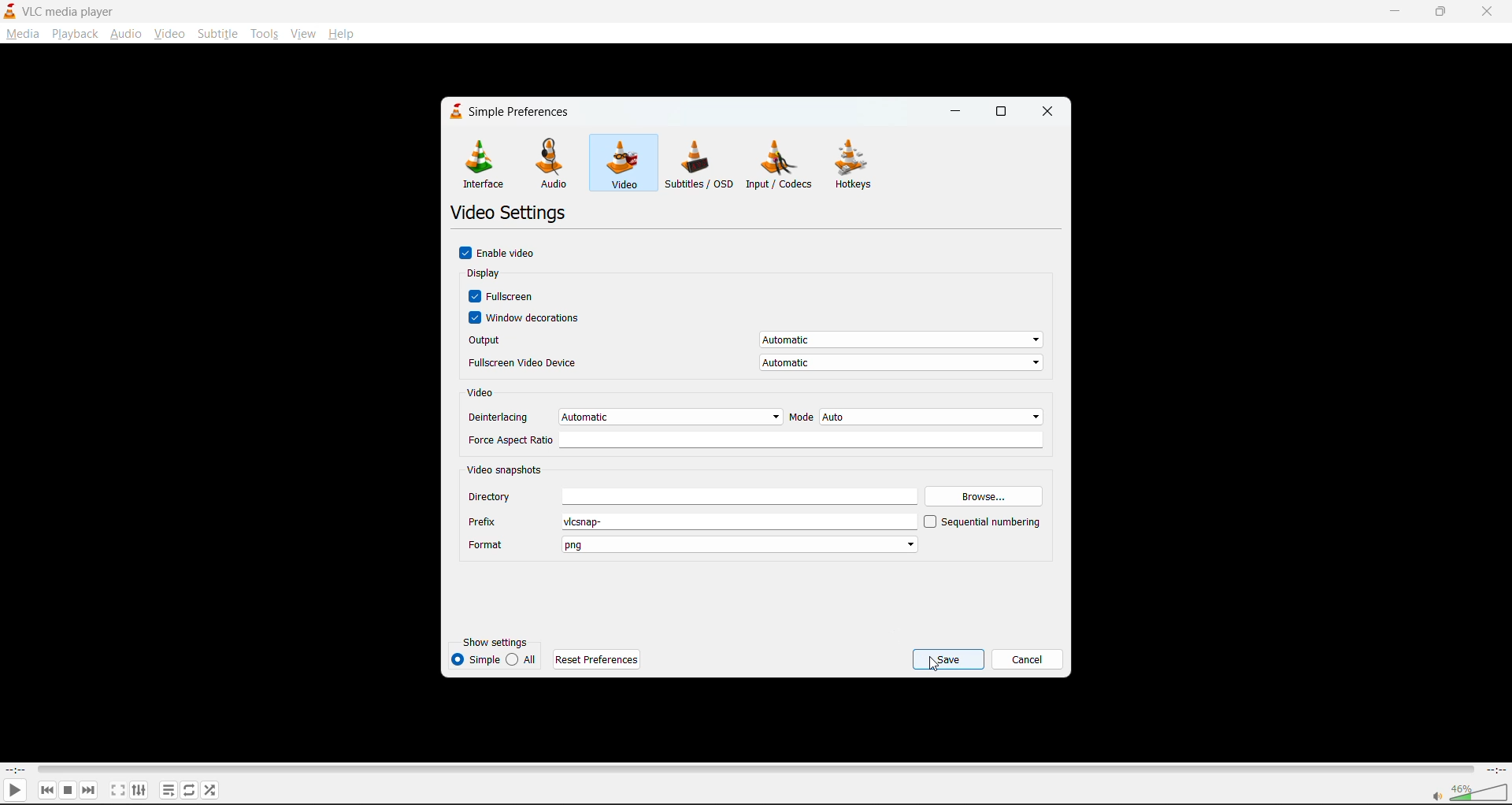  What do you see at coordinates (687, 522) in the screenshot?
I see `prefix` at bounding box center [687, 522].